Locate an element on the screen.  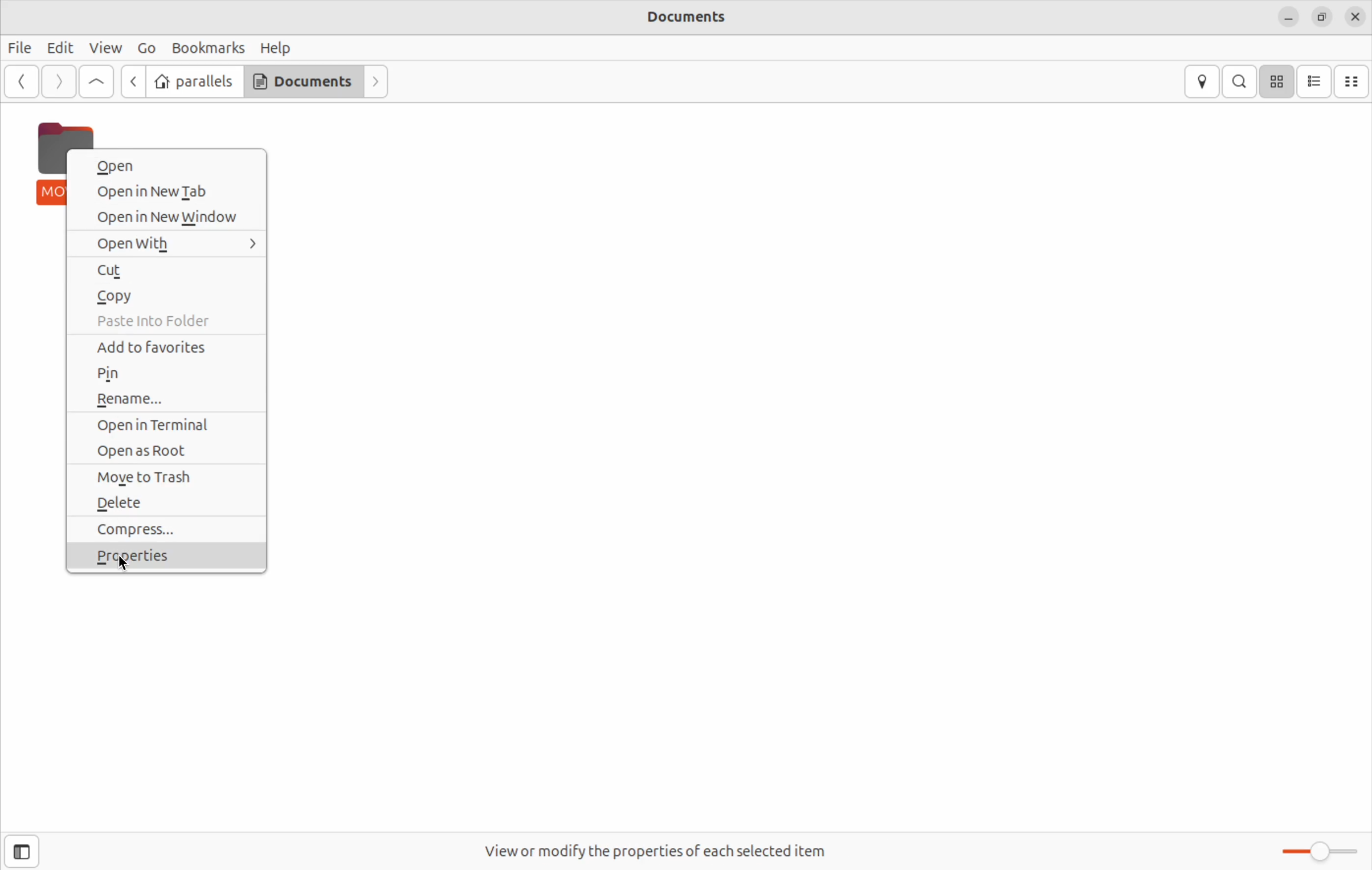
open in new window is located at coordinates (168, 219).